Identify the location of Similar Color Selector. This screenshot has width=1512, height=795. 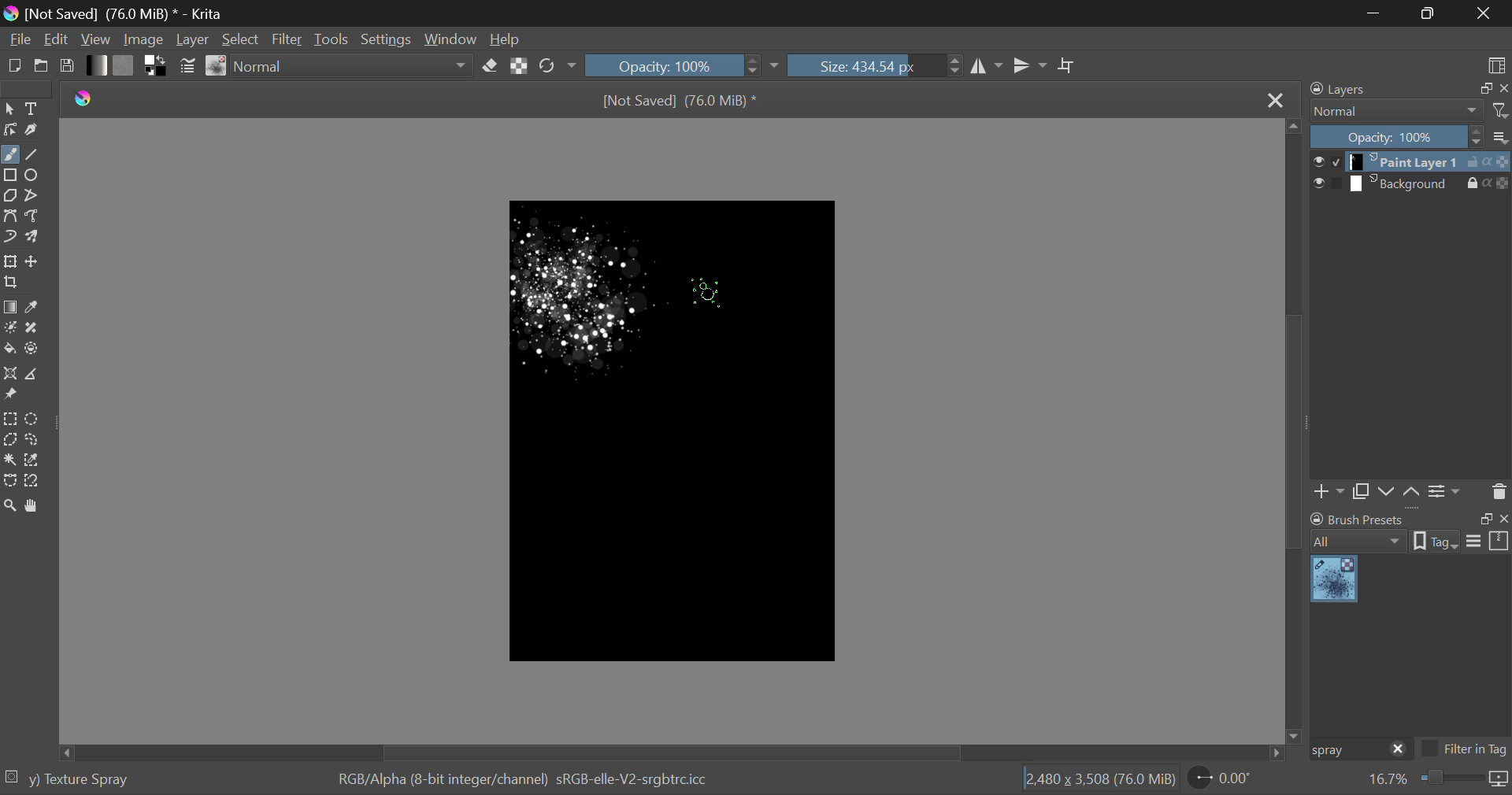
(35, 460).